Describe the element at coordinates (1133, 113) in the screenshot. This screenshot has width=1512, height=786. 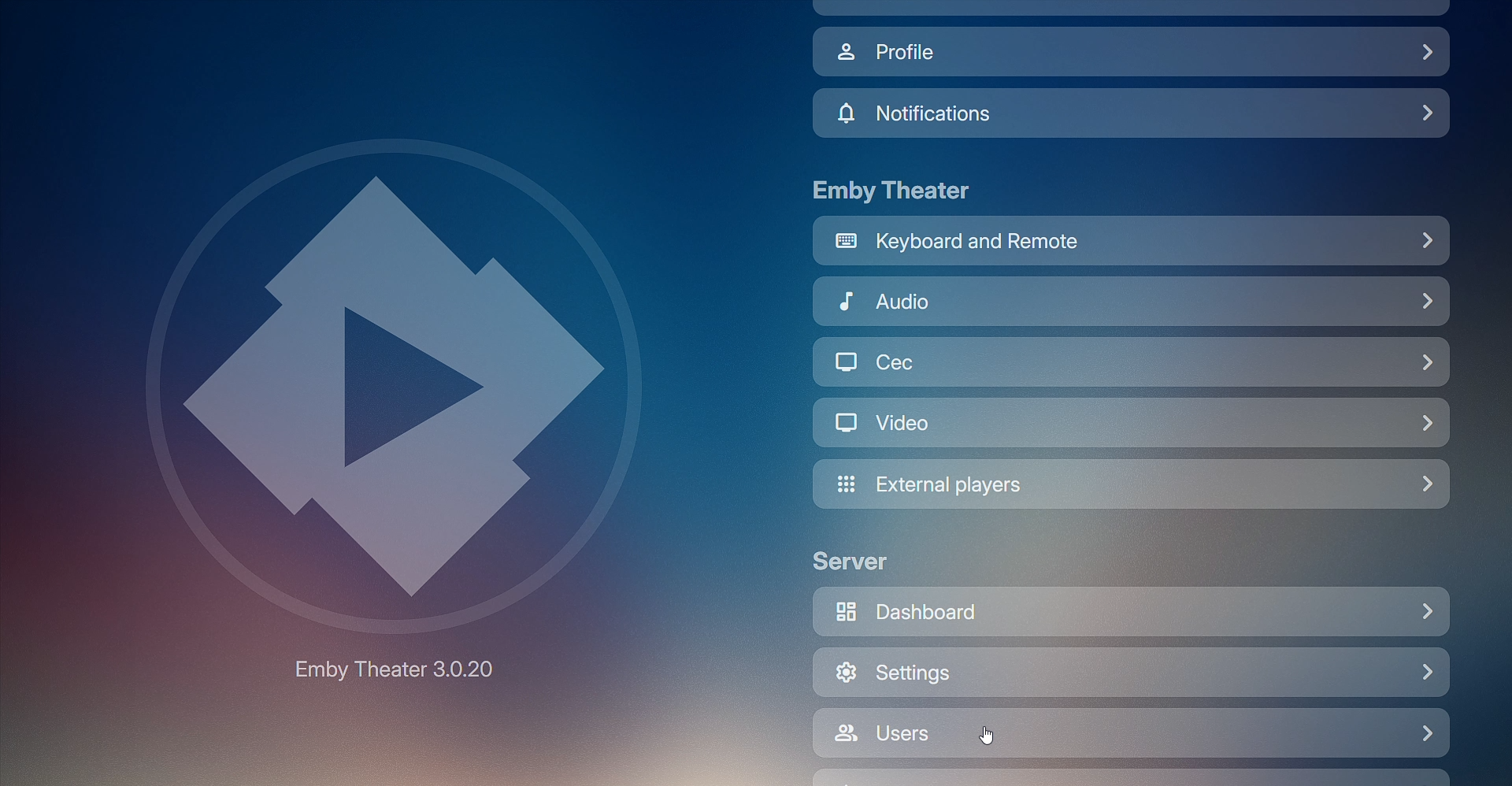
I see `Notifications` at that location.